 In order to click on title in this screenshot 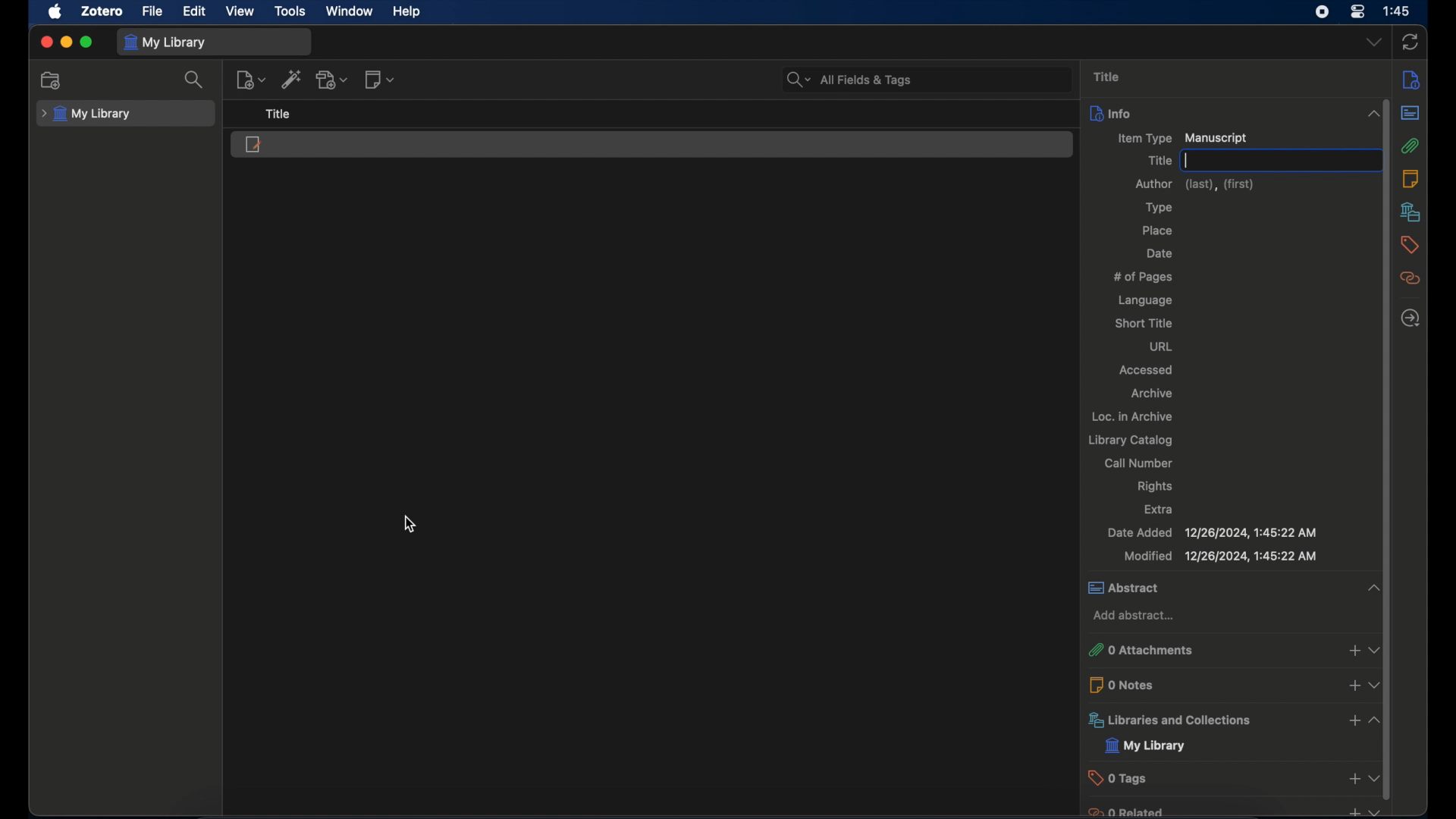, I will do `click(1106, 77)`.